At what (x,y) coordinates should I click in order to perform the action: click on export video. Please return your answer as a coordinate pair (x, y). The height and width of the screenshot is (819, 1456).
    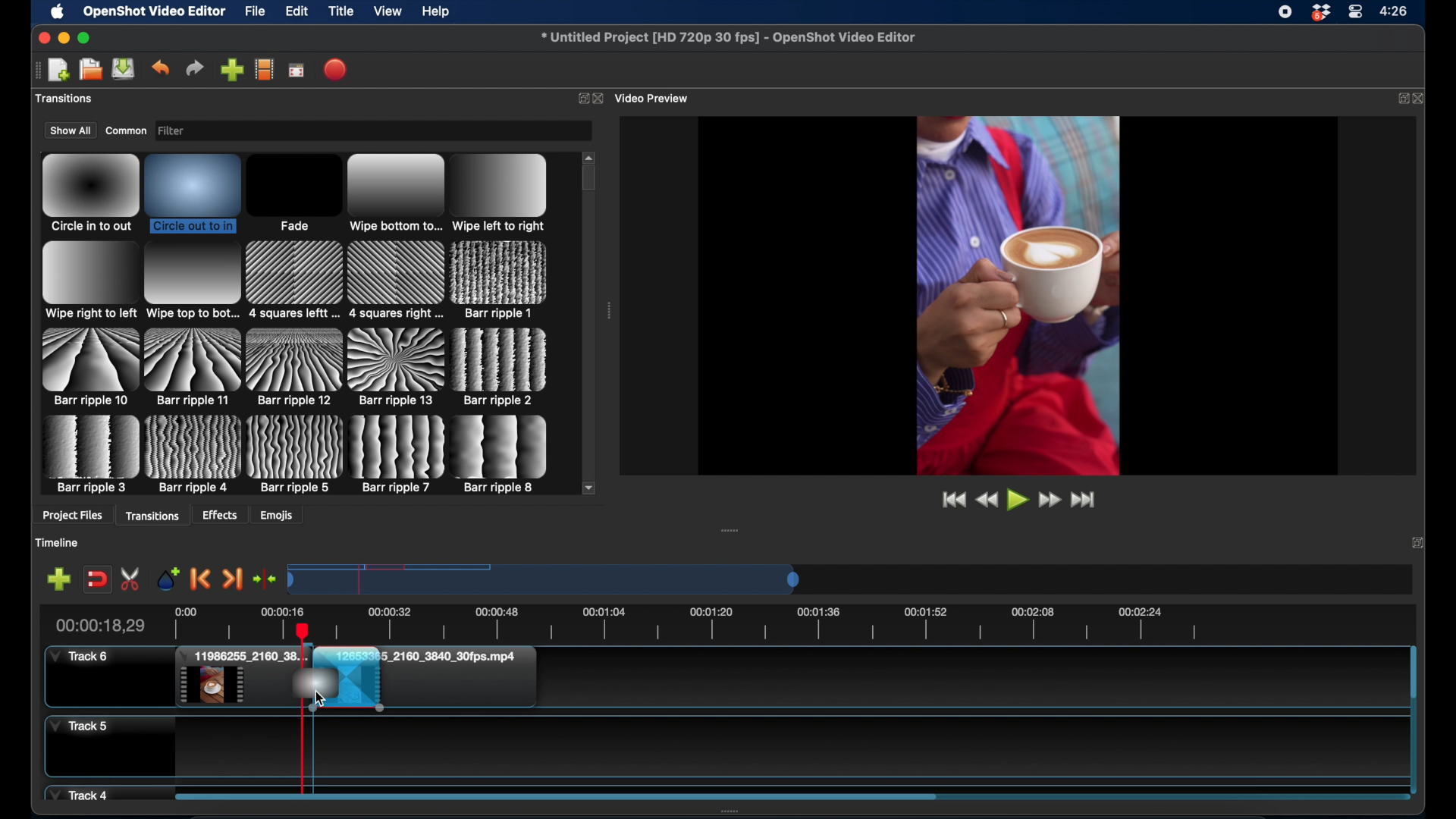
    Looking at the image, I should click on (336, 69).